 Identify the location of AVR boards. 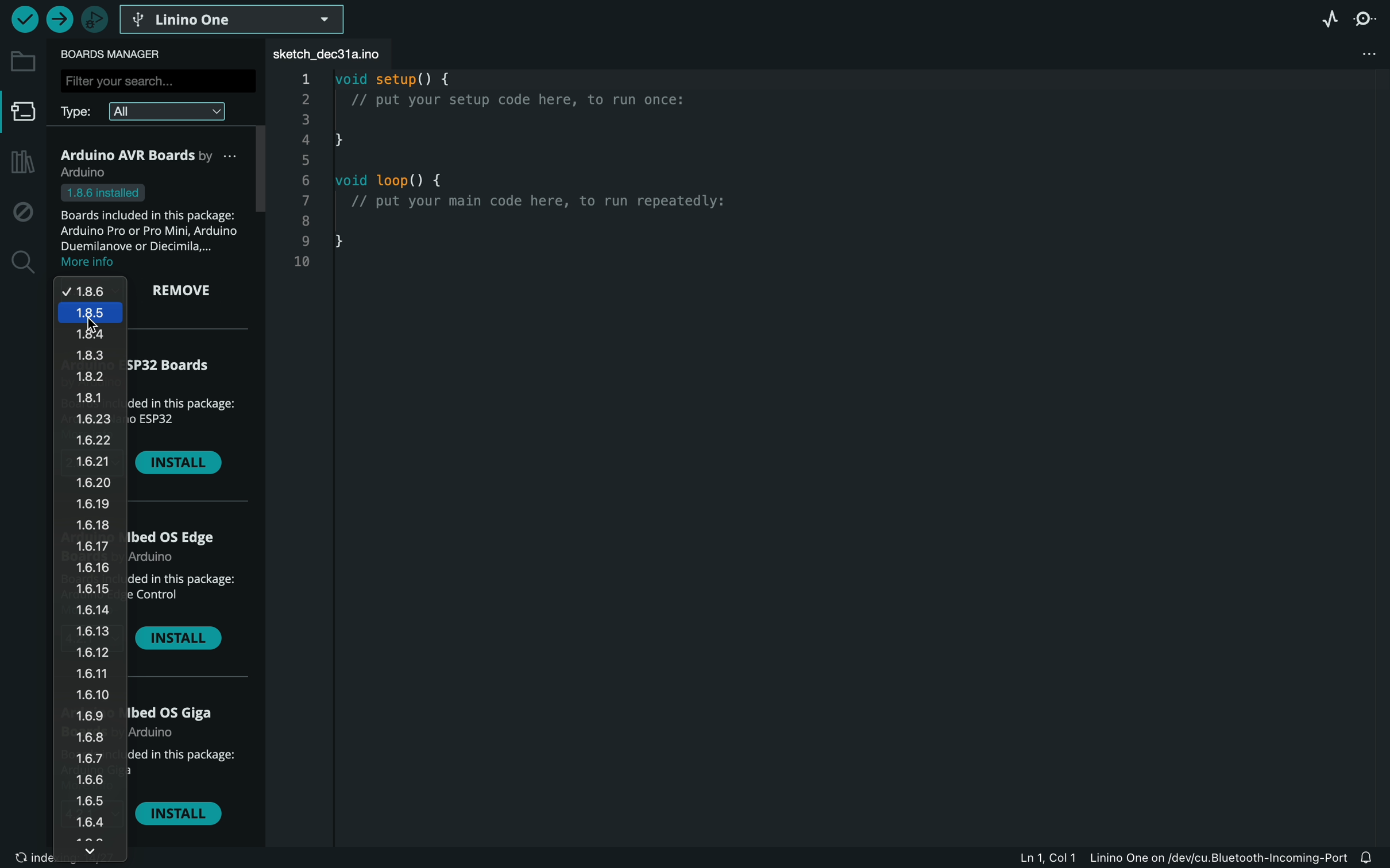
(154, 162).